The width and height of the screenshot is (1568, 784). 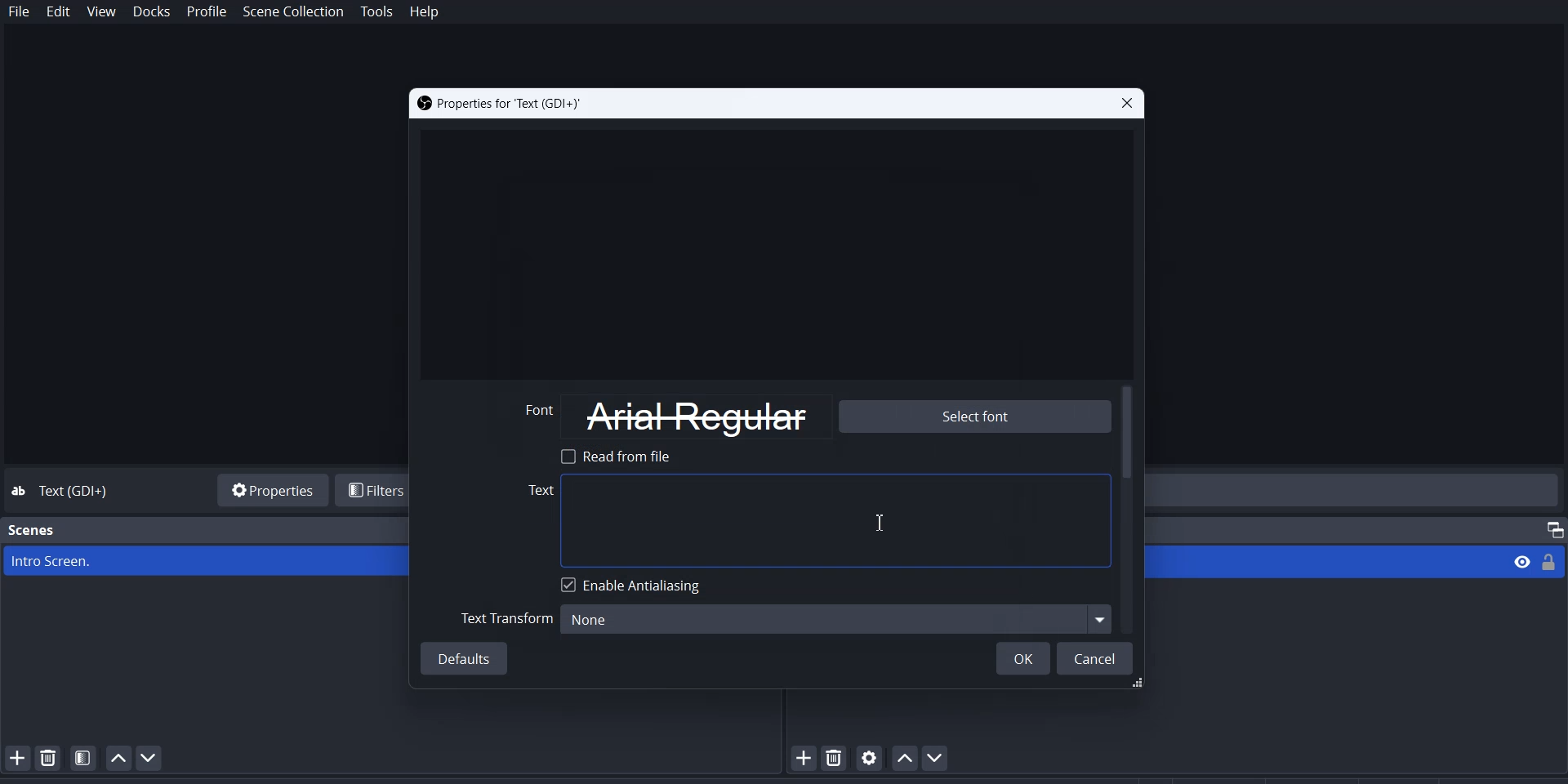 What do you see at coordinates (151, 12) in the screenshot?
I see `Docks` at bounding box center [151, 12].